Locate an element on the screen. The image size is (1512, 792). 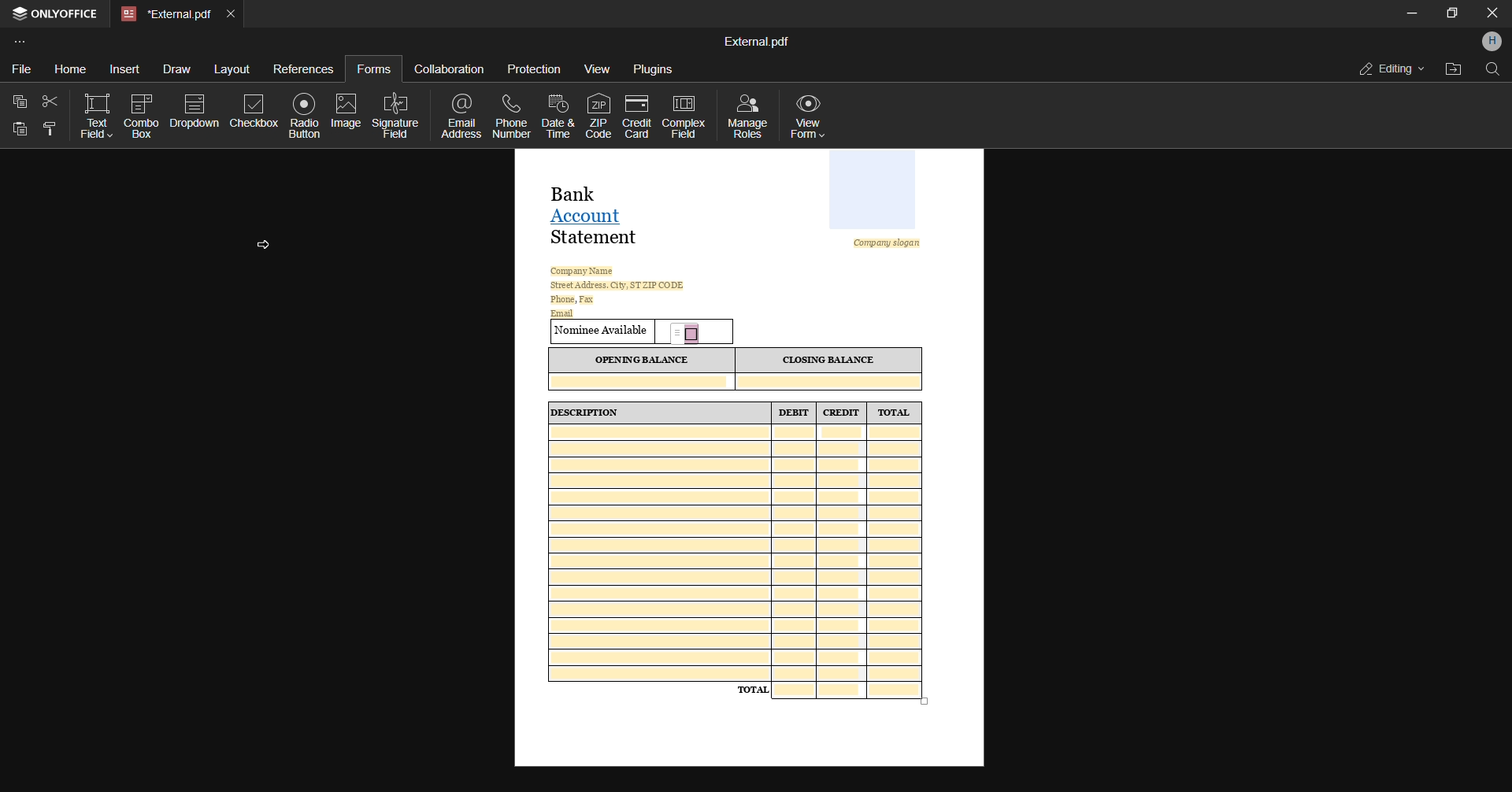
insert is located at coordinates (120, 68).